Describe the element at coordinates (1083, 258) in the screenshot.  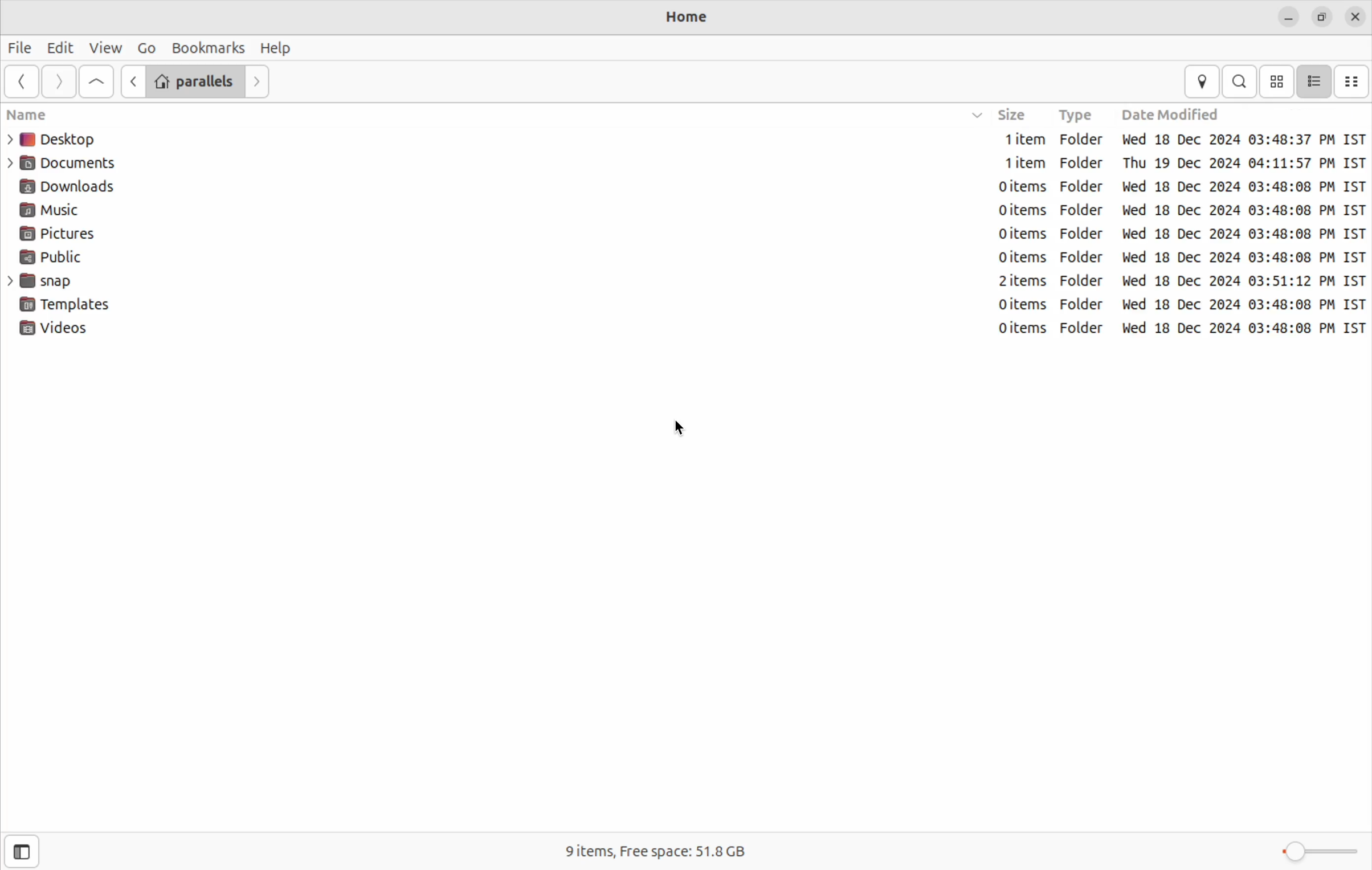
I see `Folder` at that location.